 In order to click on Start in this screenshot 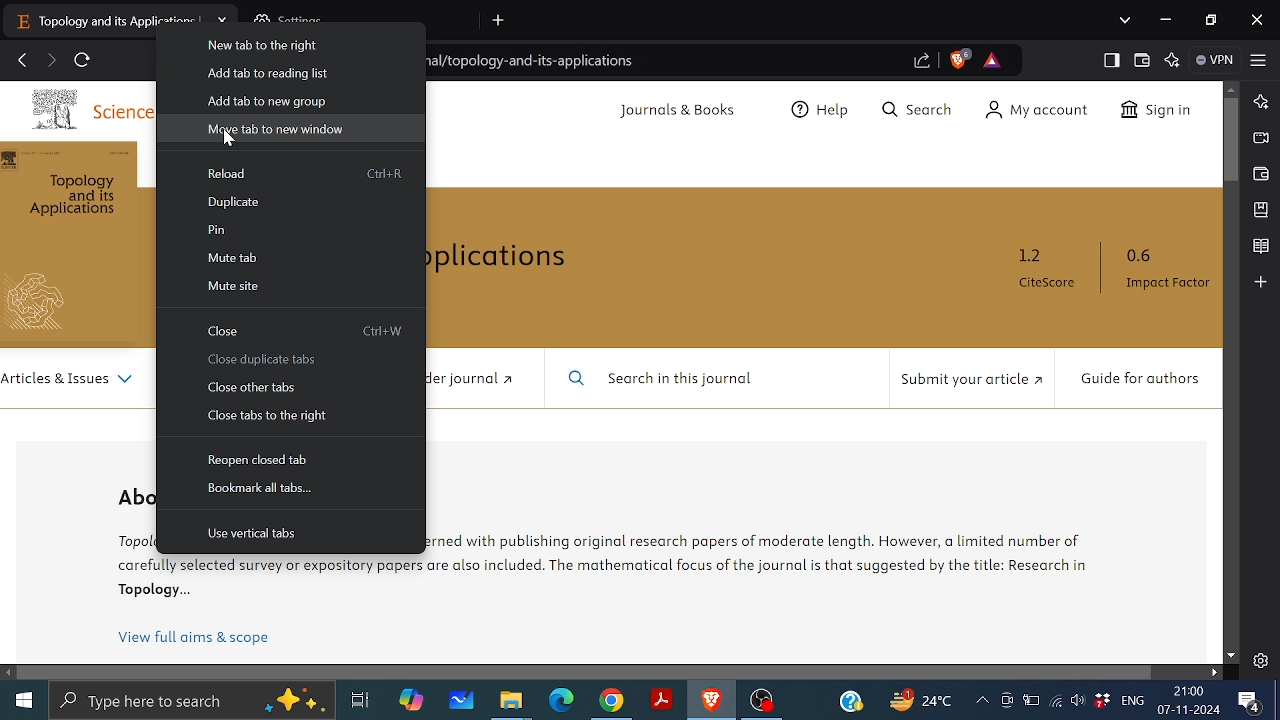, I will do `click(24, 701)`.